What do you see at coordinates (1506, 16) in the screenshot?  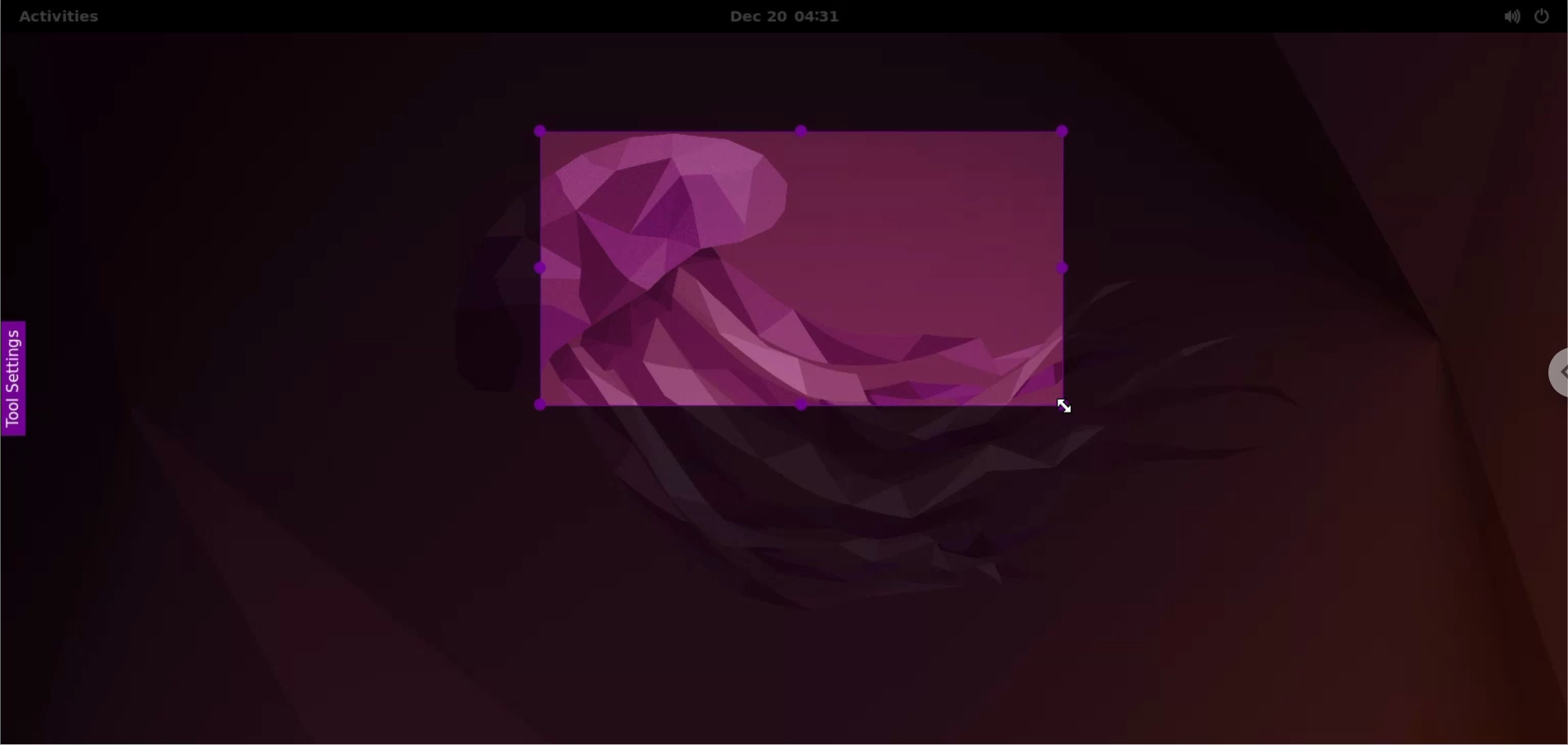 I see `sound setting options` at bounding box center [1506, 16].